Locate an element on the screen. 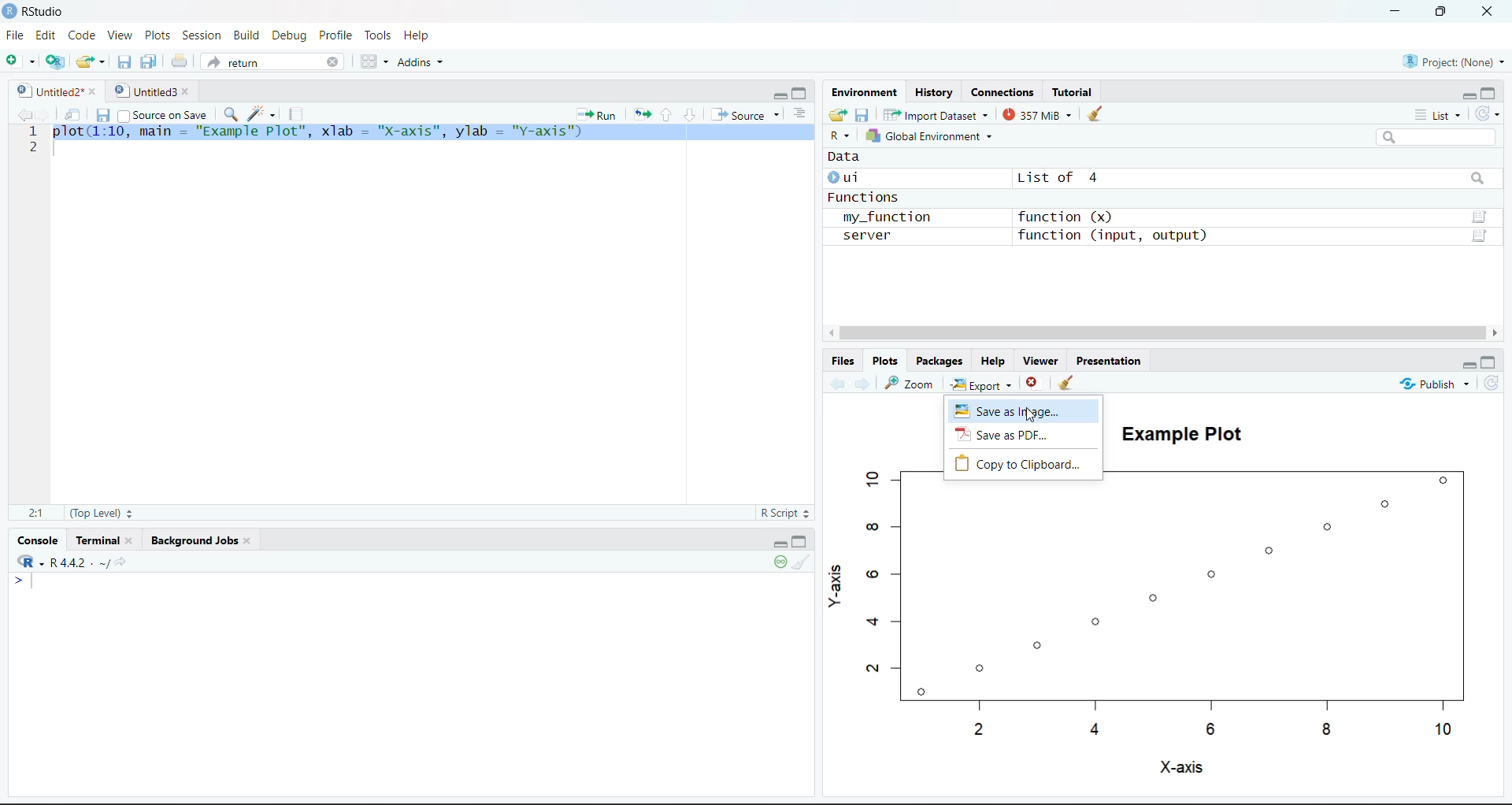 The image size is (1512, 805). Prompt cursor is located at coordinates (17, 581).